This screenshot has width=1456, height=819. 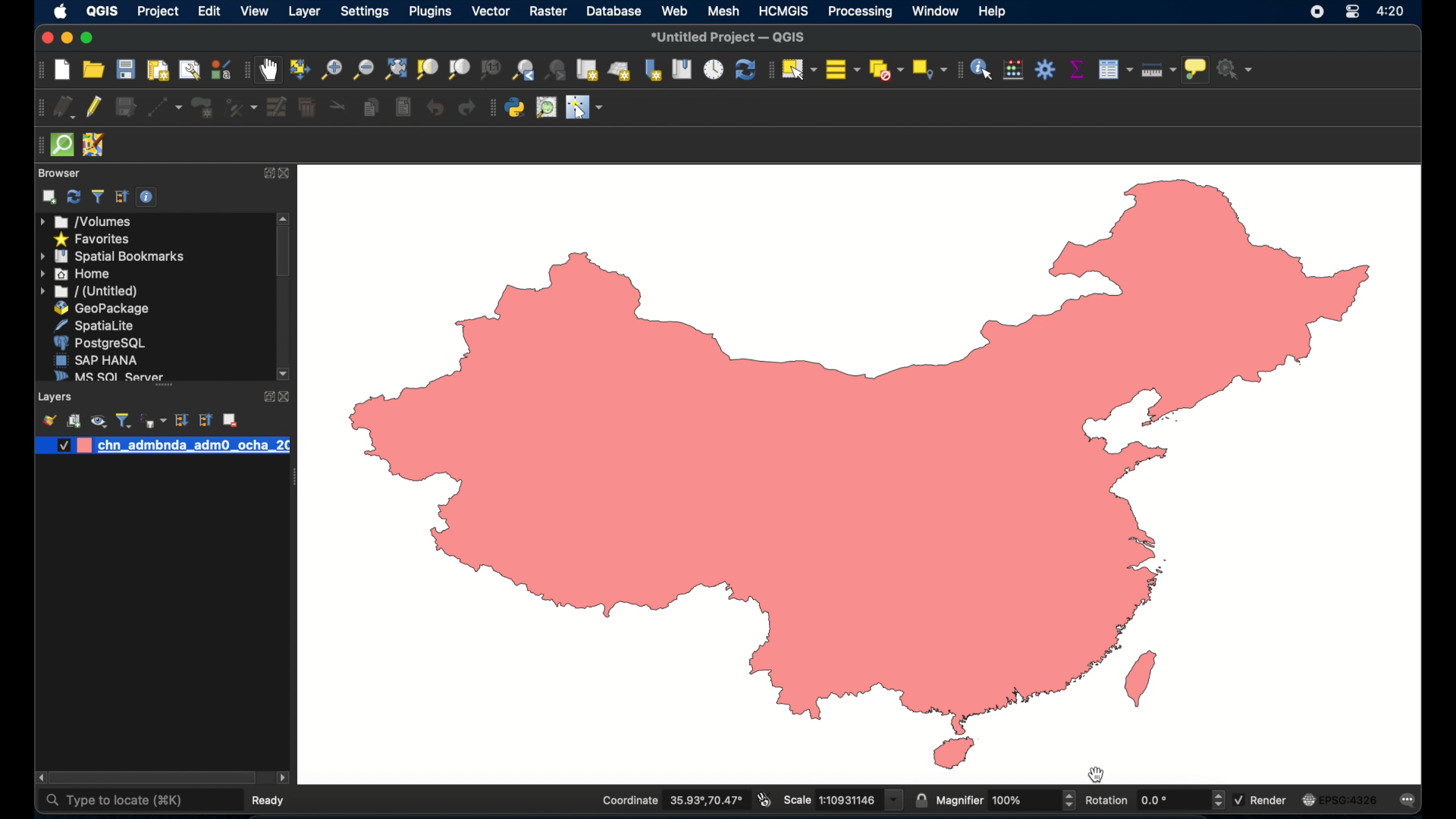 What do you see at coordinates (99, 197) in the screenshot?
I see `filter browser` at bounding box center [99, 197].